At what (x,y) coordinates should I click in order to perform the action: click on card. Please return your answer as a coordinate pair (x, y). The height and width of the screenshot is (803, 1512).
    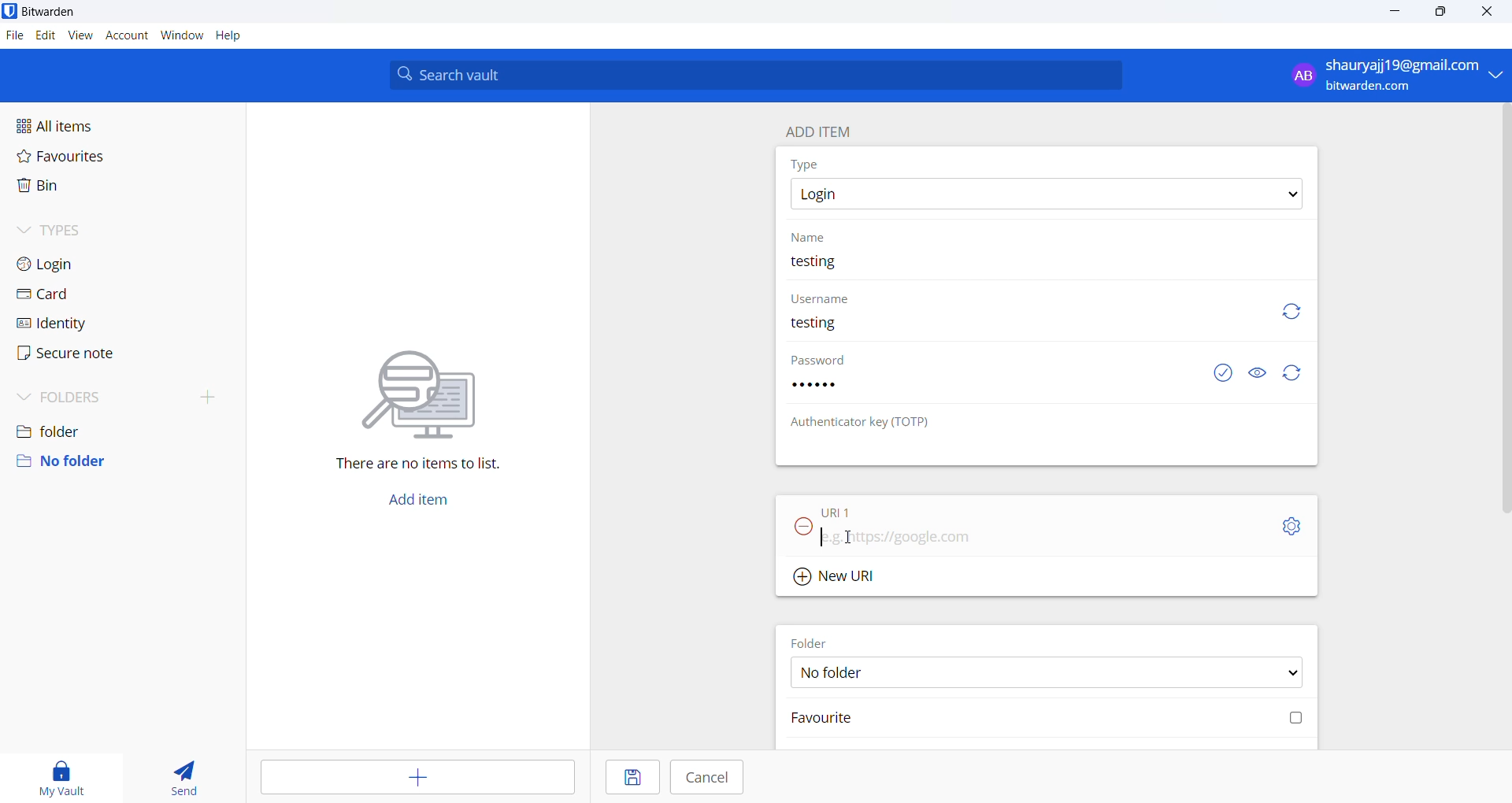
    Looking at the image, I should click on (82, 294).